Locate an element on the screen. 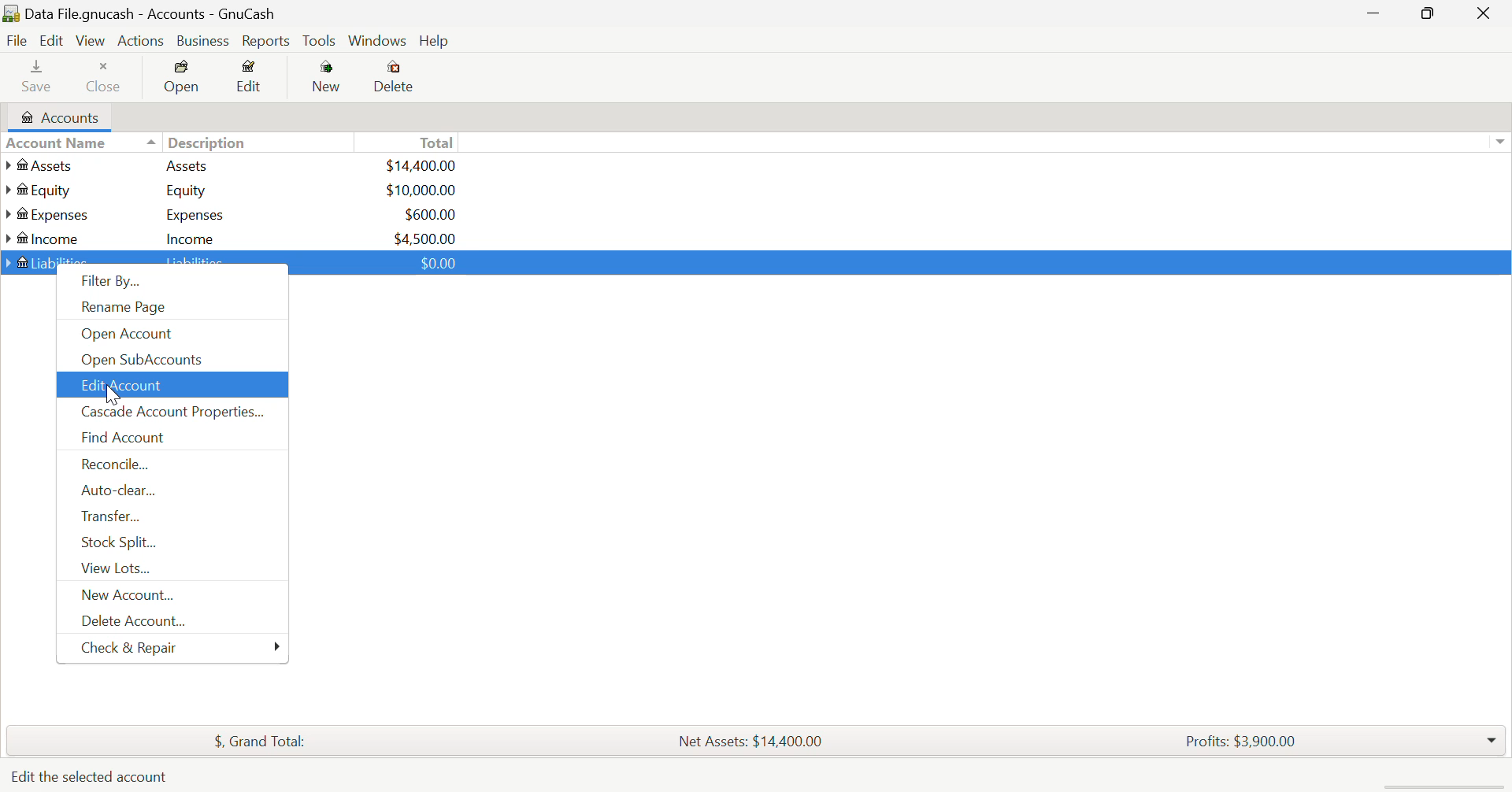 The height and width of the screenshot is (792, 1512). Total is located at coordinates (251, 738).